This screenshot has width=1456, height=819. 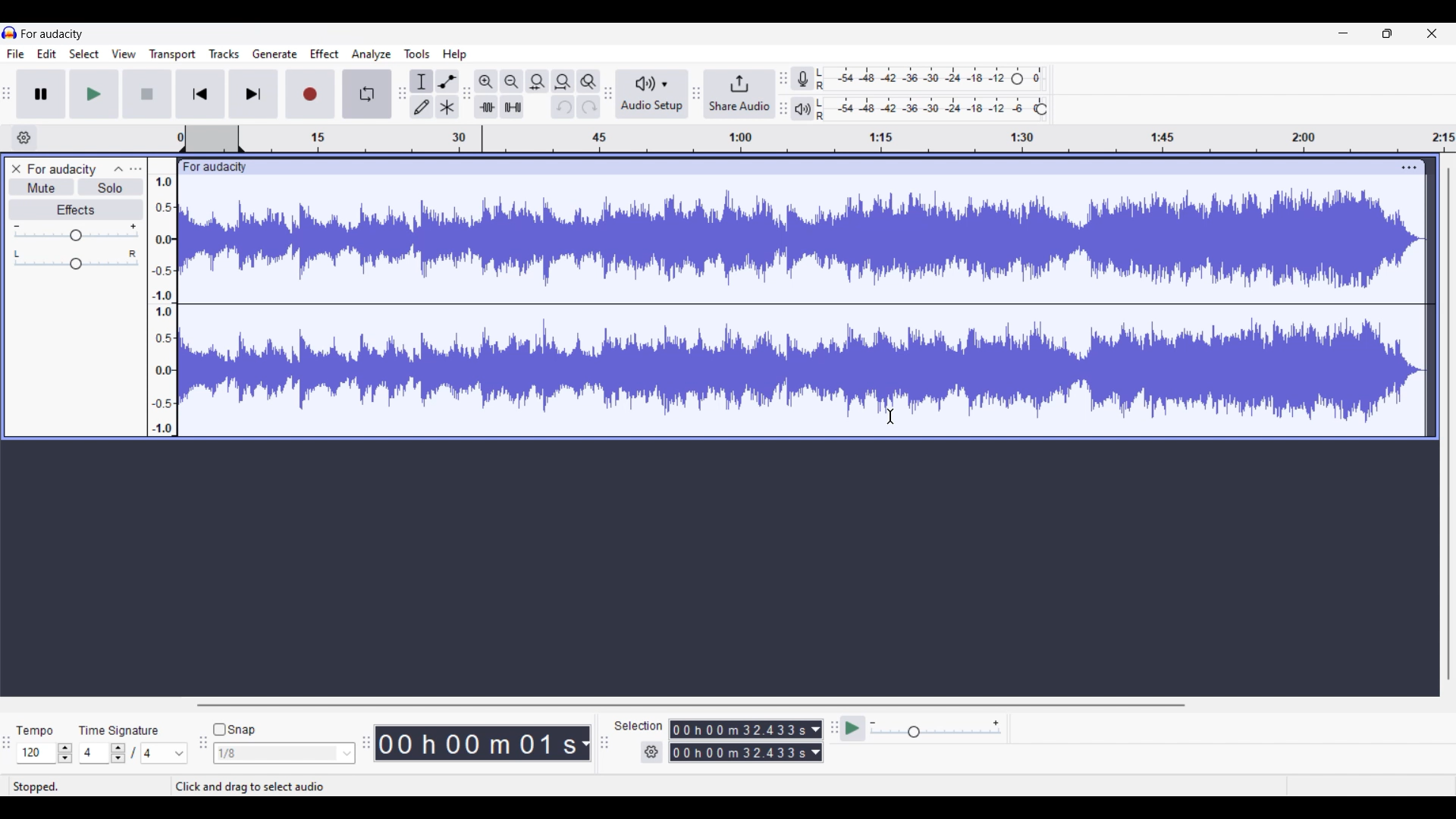 I want to click on Fit project to width, so click(x=563, y=82).